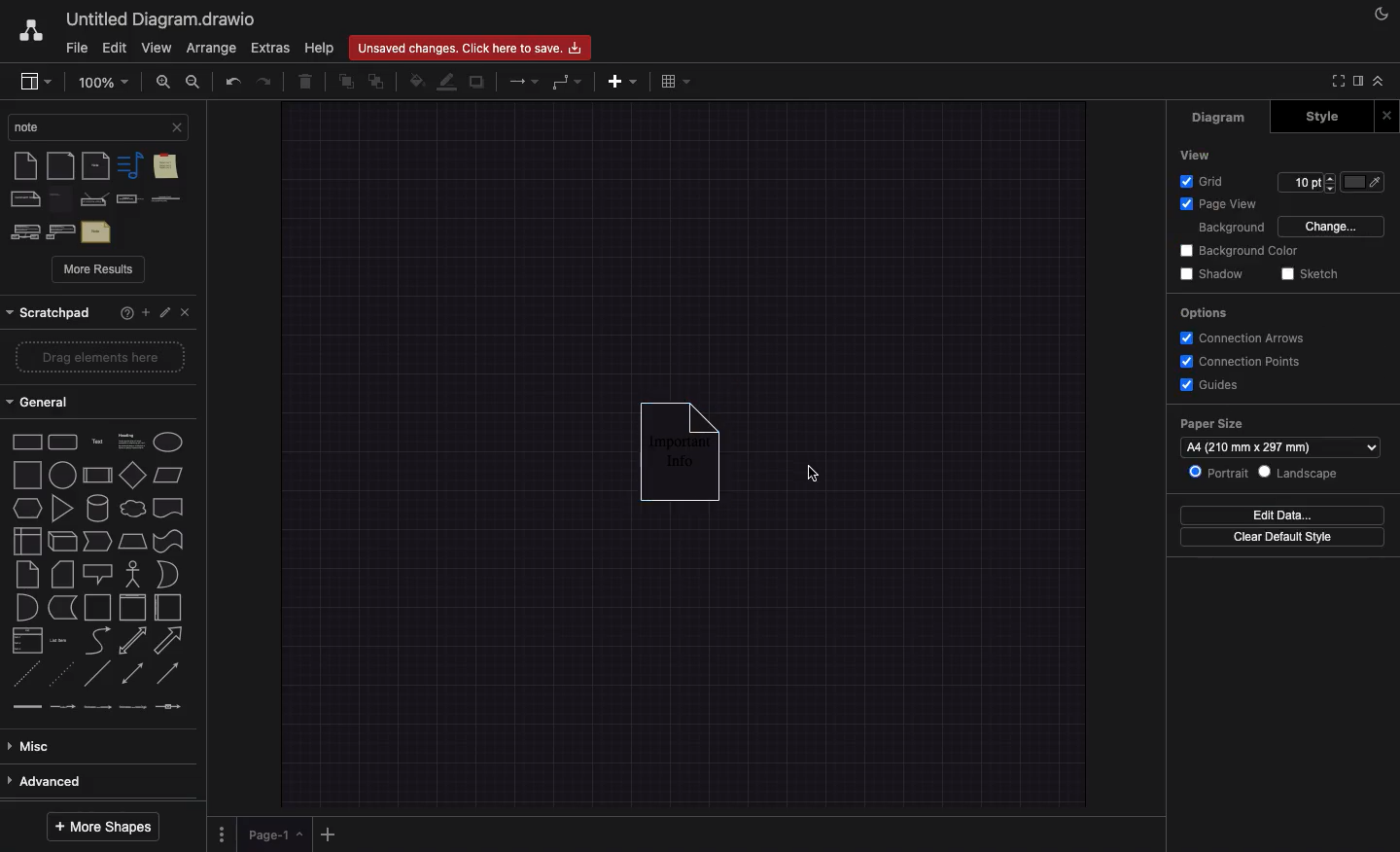 The width and height of the screenshot is (1400, 852). Describe the element at coordinates (133, 474) in the screenshot. I see `parallelogram` at that location.